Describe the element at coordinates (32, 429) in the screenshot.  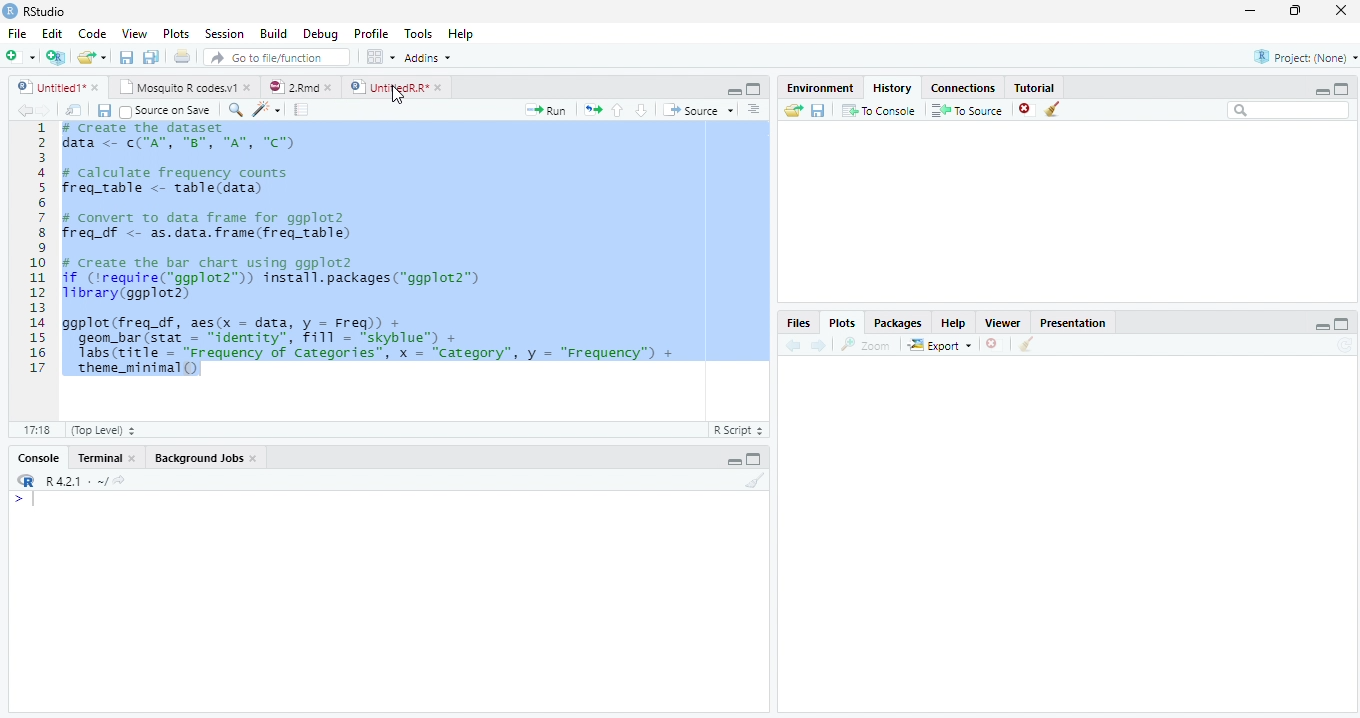
I see `1.1` at that location.